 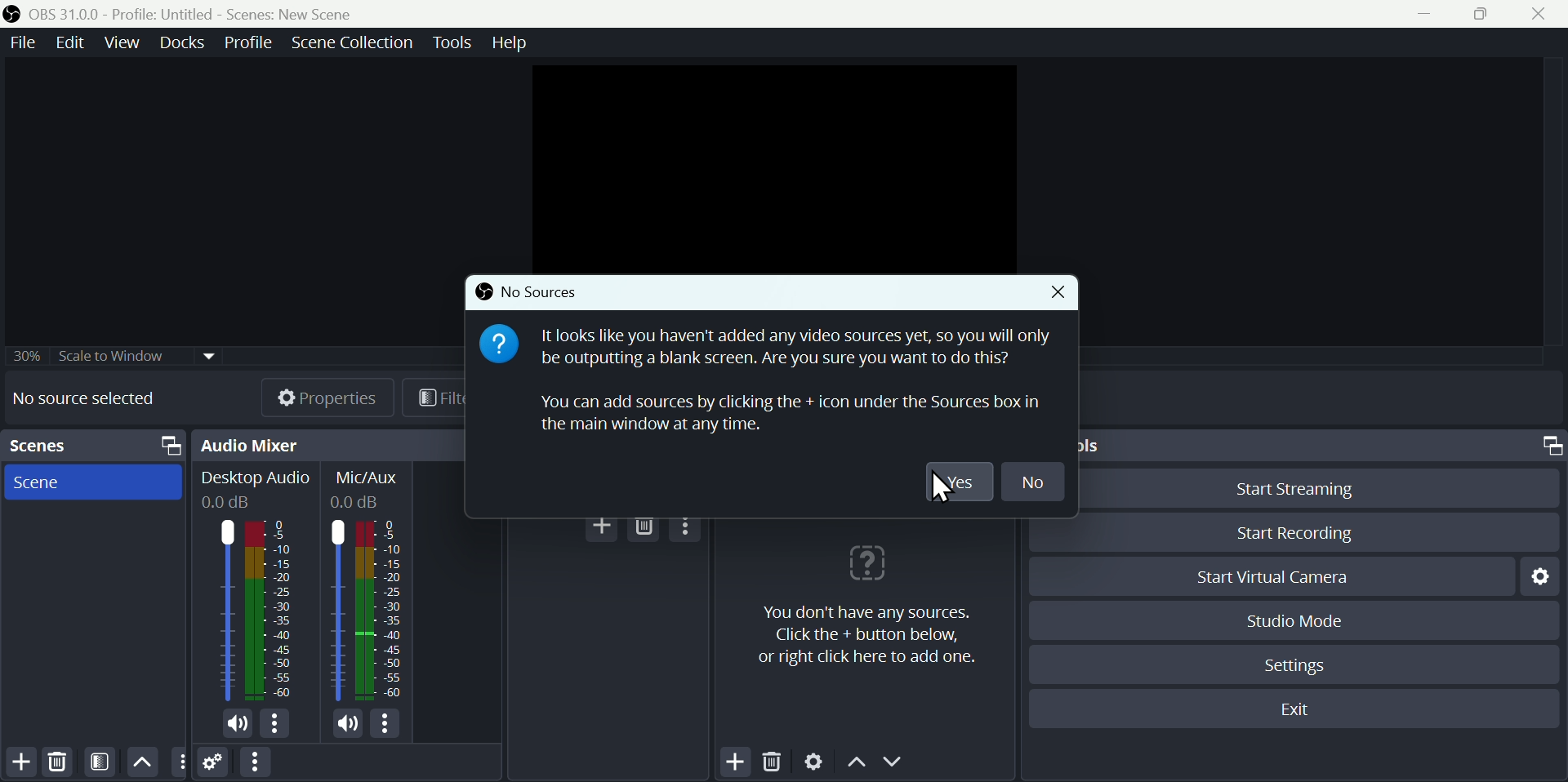 What do you see at coordinates (141, 762) in the screenshot?
I see `up` at bounding box center [141, 762].